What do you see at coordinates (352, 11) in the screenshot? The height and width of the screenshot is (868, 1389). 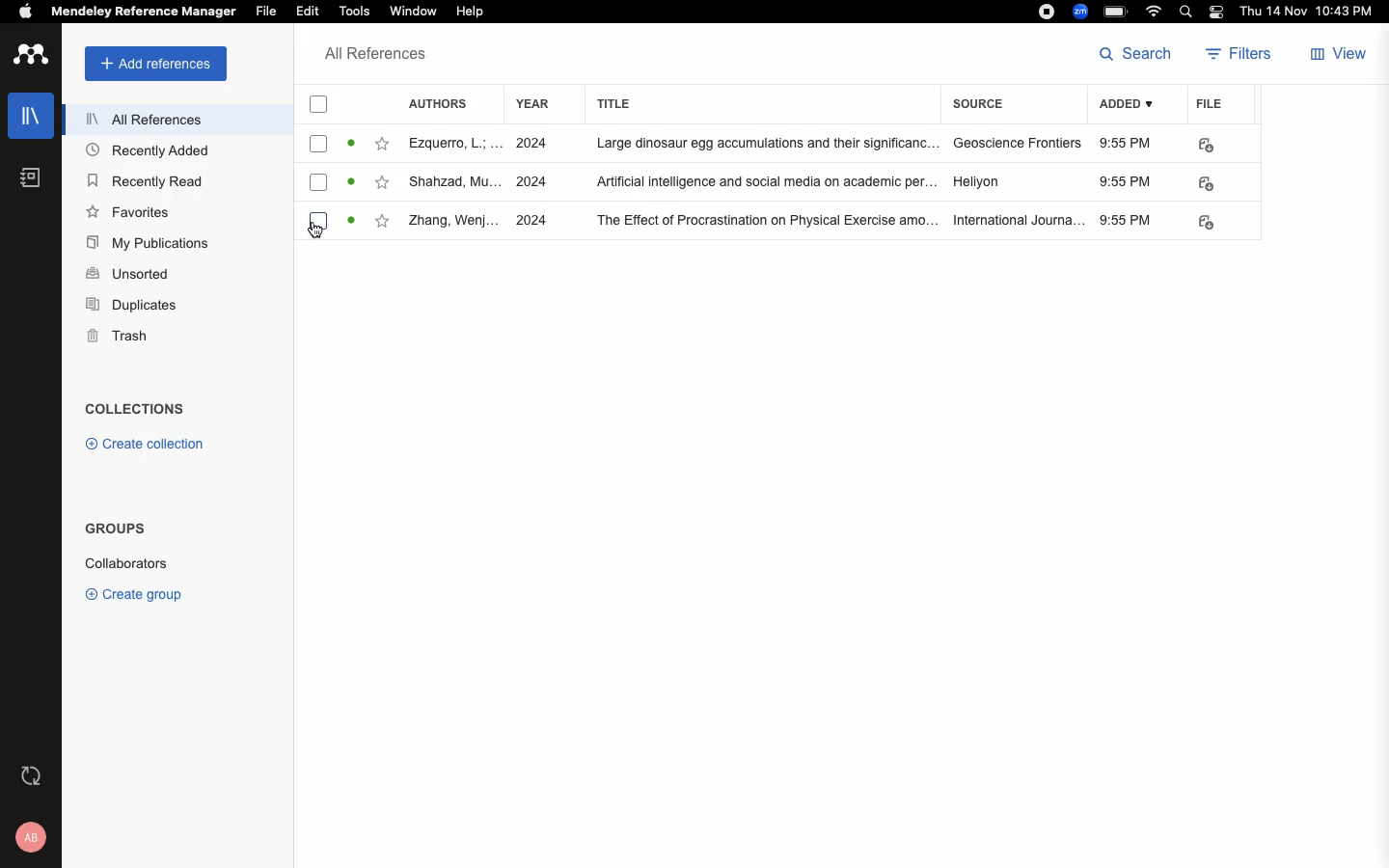 I see `Tools` at bounding box center [352, 11].